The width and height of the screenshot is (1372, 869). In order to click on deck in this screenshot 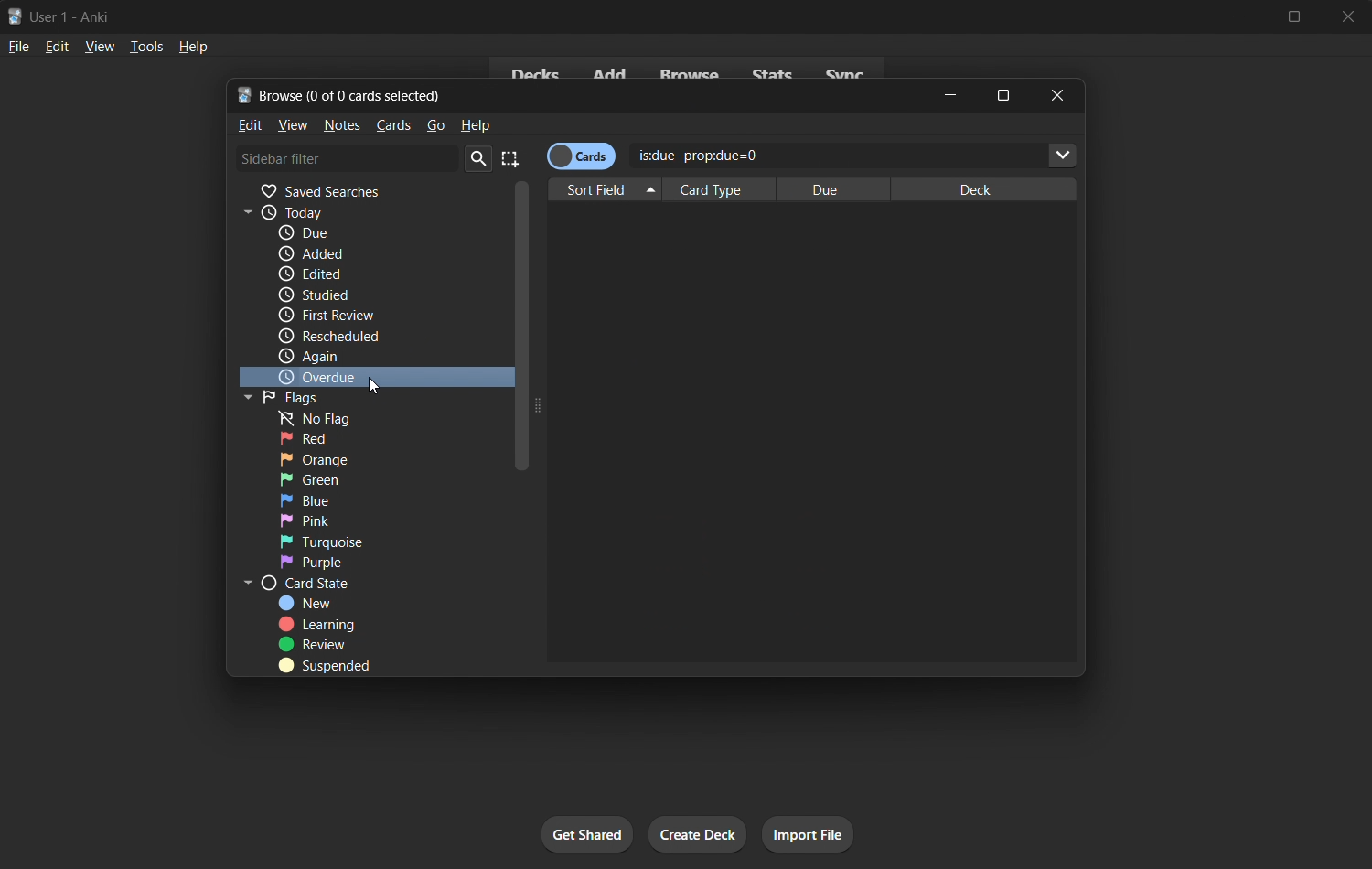, I will do `click(987, 190)`.